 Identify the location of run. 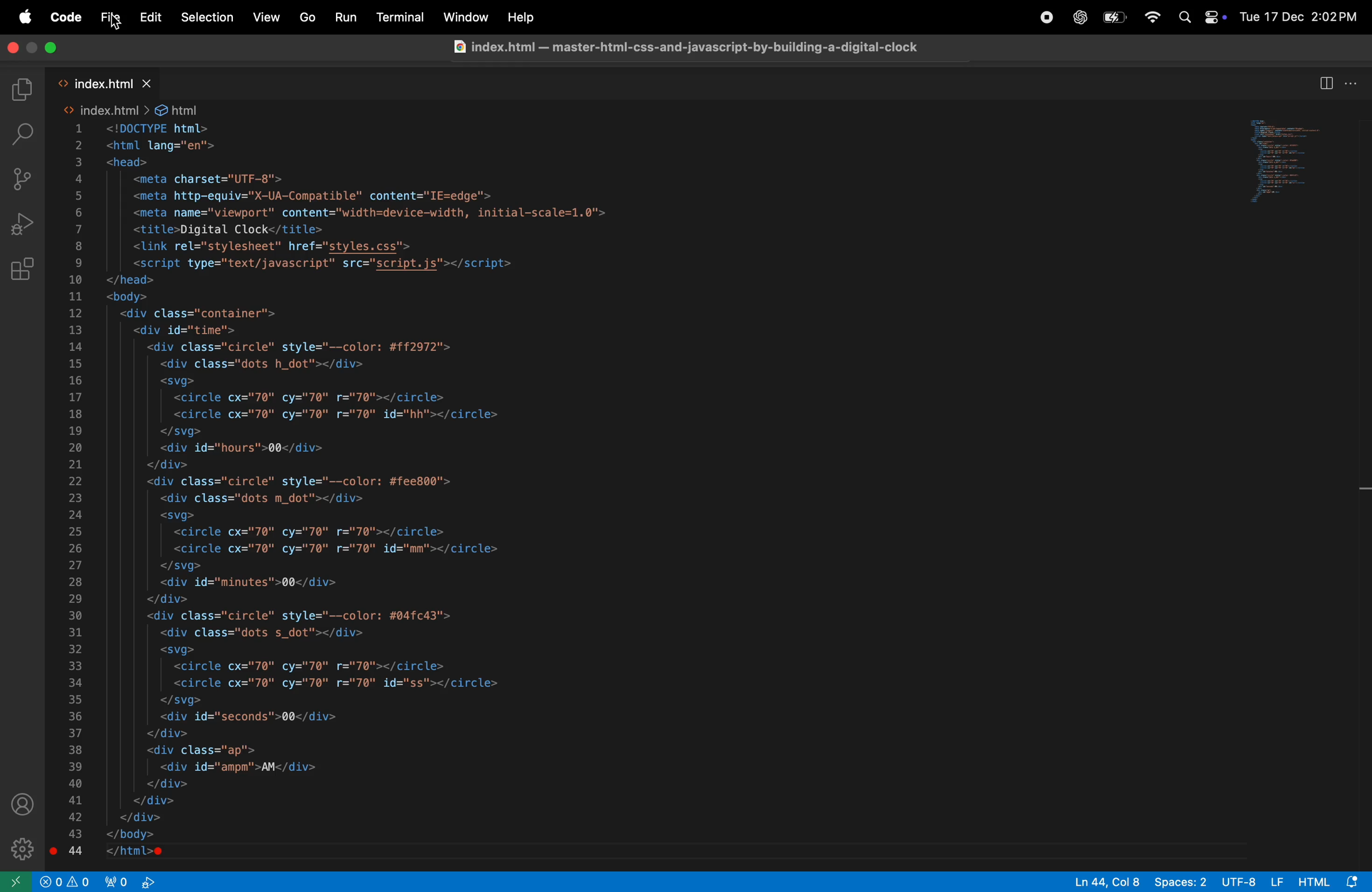
(348, 17).